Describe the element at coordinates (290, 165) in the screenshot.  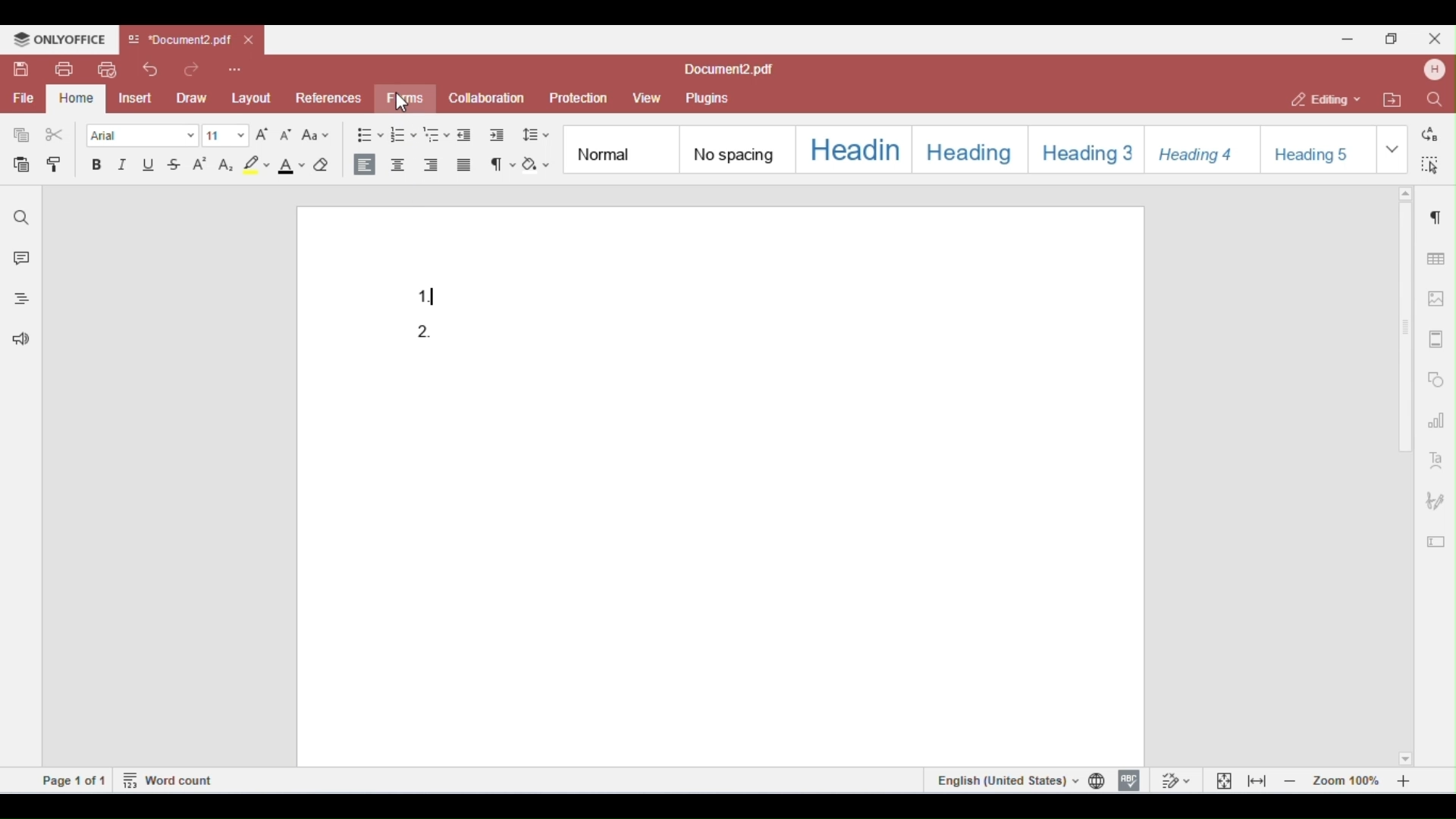
I see `font color` at that location.